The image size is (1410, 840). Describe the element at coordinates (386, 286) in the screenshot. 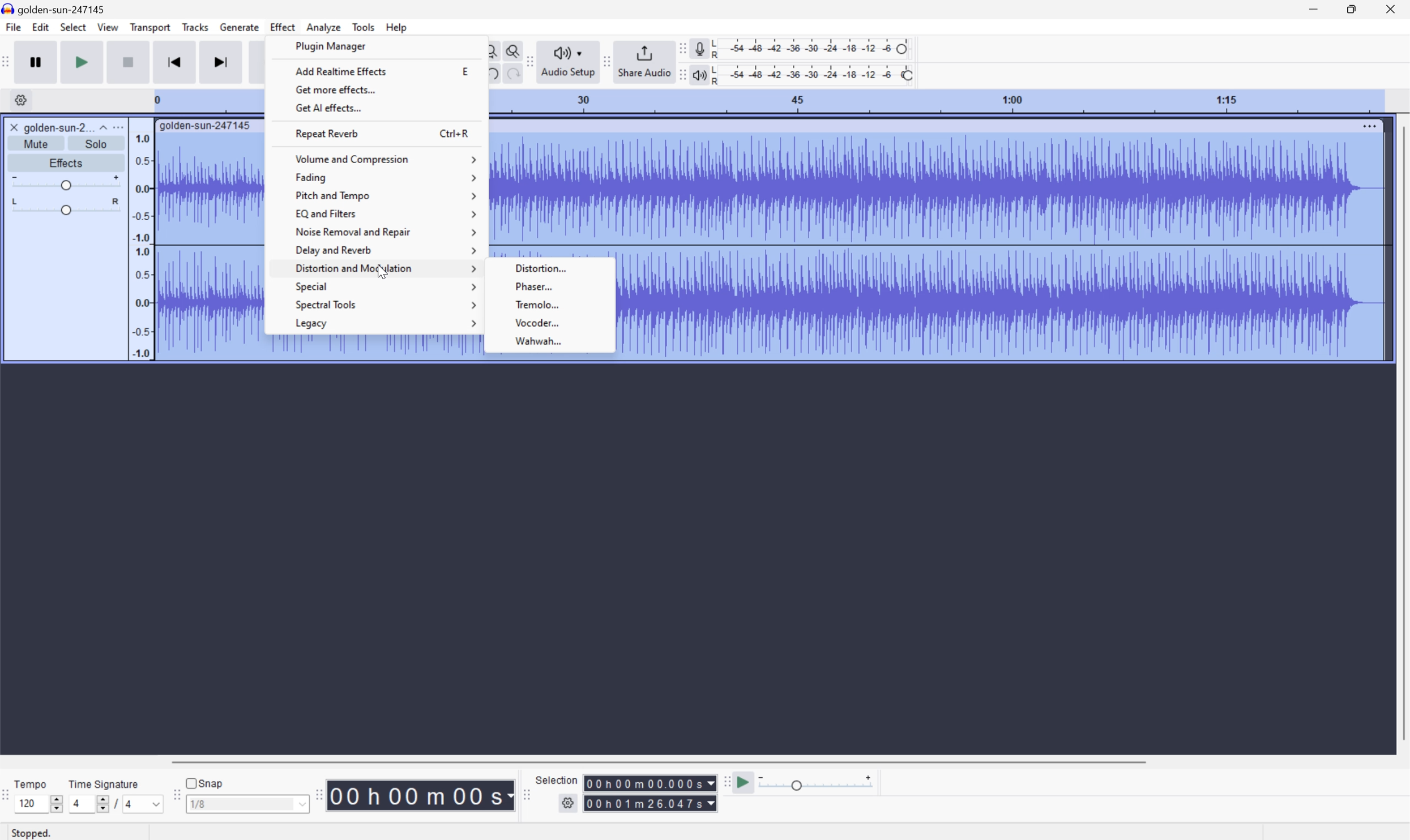

I see `Special` at that location.